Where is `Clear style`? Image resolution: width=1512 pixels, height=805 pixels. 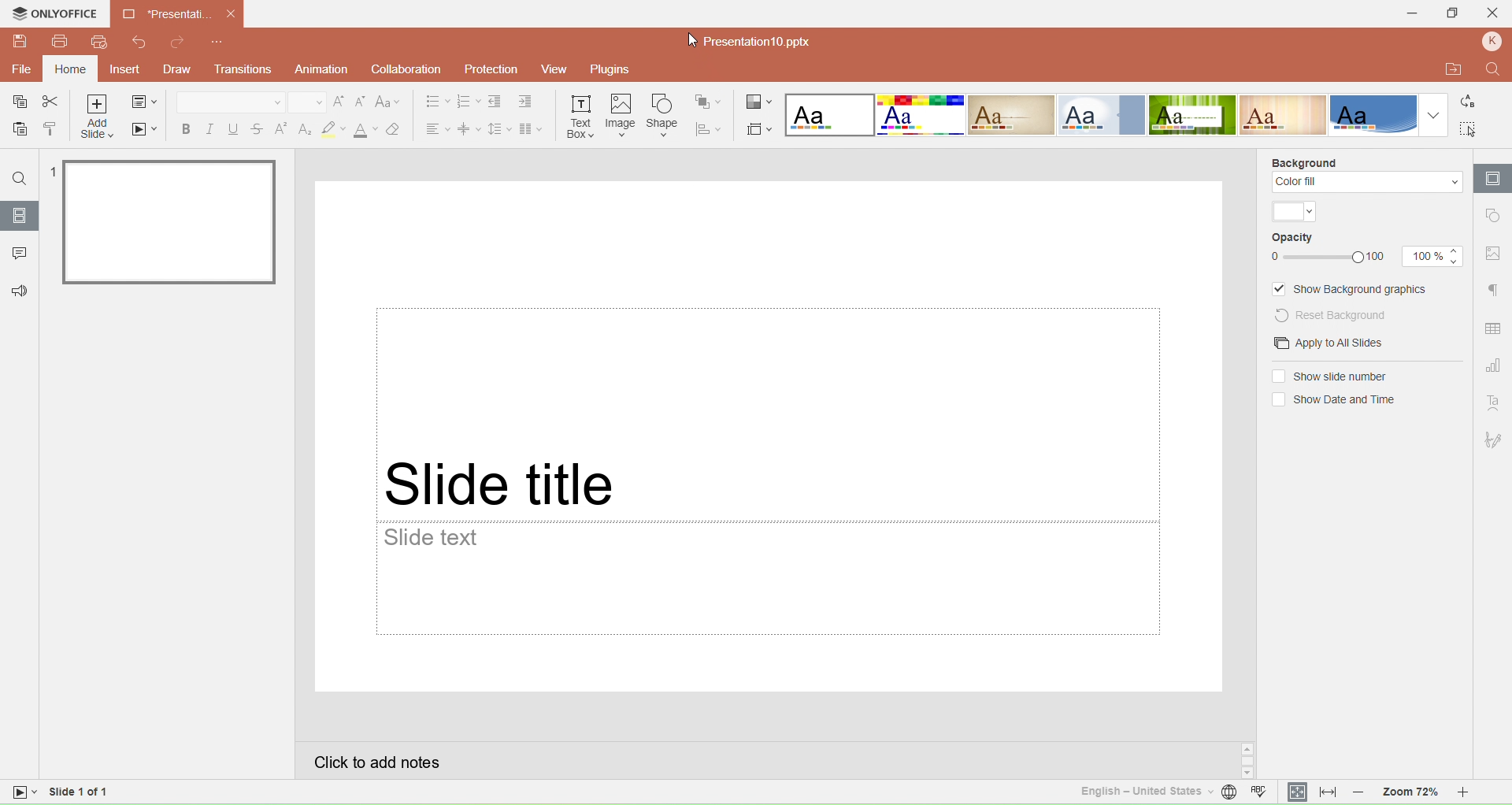
Clear style is located at coordinates (398, 128).